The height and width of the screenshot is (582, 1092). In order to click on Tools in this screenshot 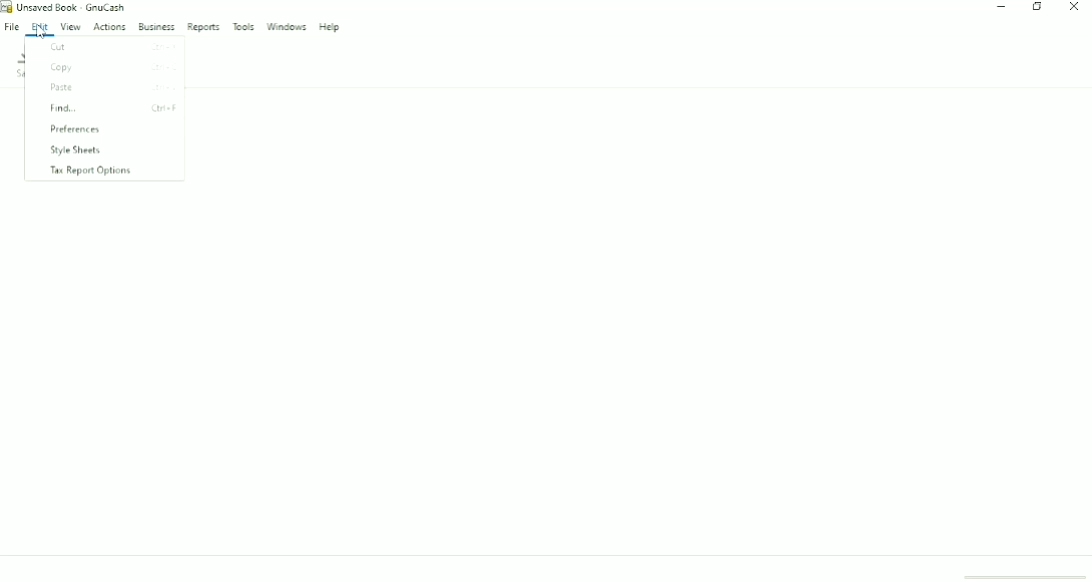, I will do `click(244, 26)`.